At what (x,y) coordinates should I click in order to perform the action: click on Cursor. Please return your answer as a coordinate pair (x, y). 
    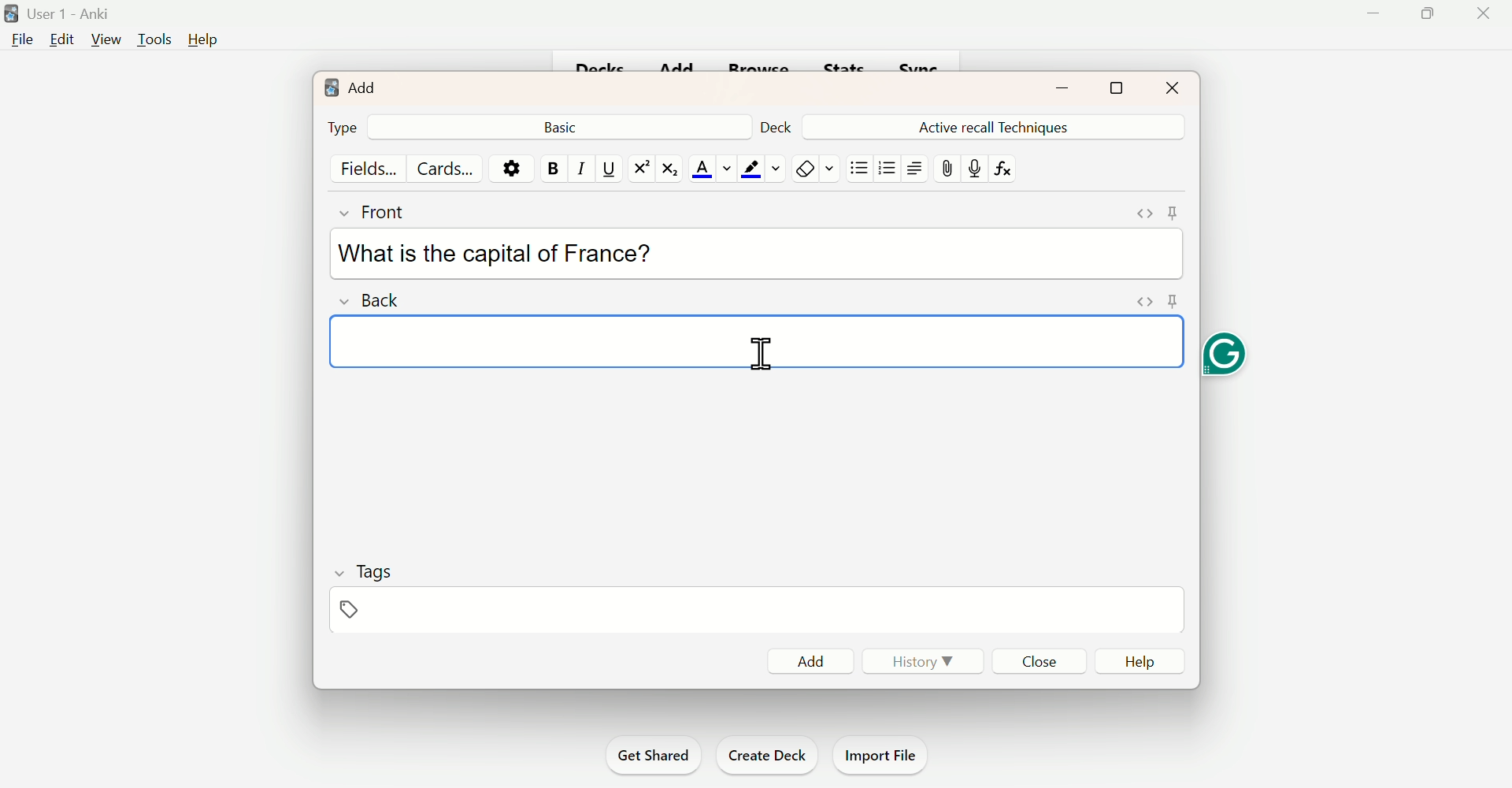
    Looking at the image, I should click on (771, 352).